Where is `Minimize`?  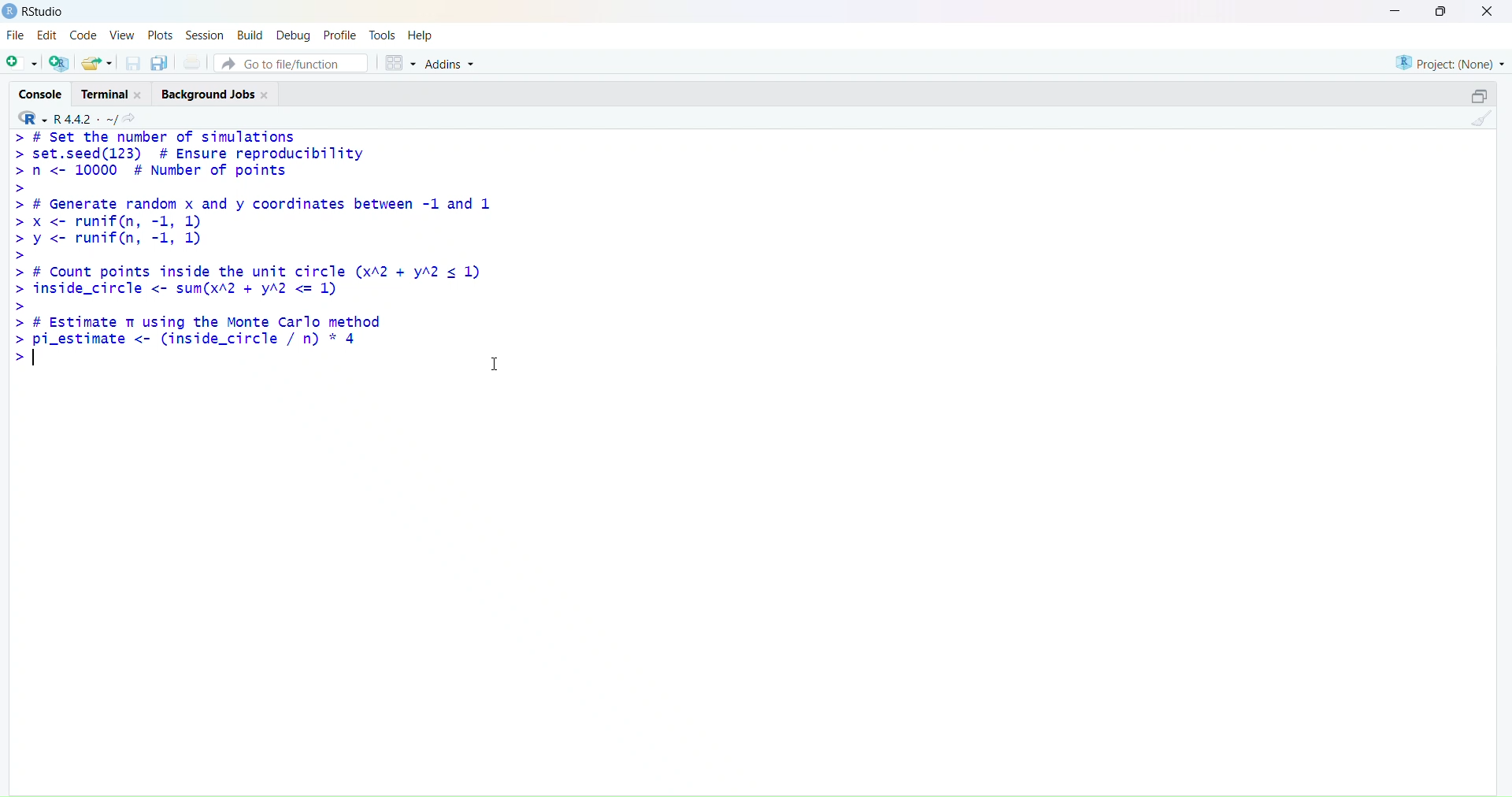
Minimize is located at coordinates (1395, 11).